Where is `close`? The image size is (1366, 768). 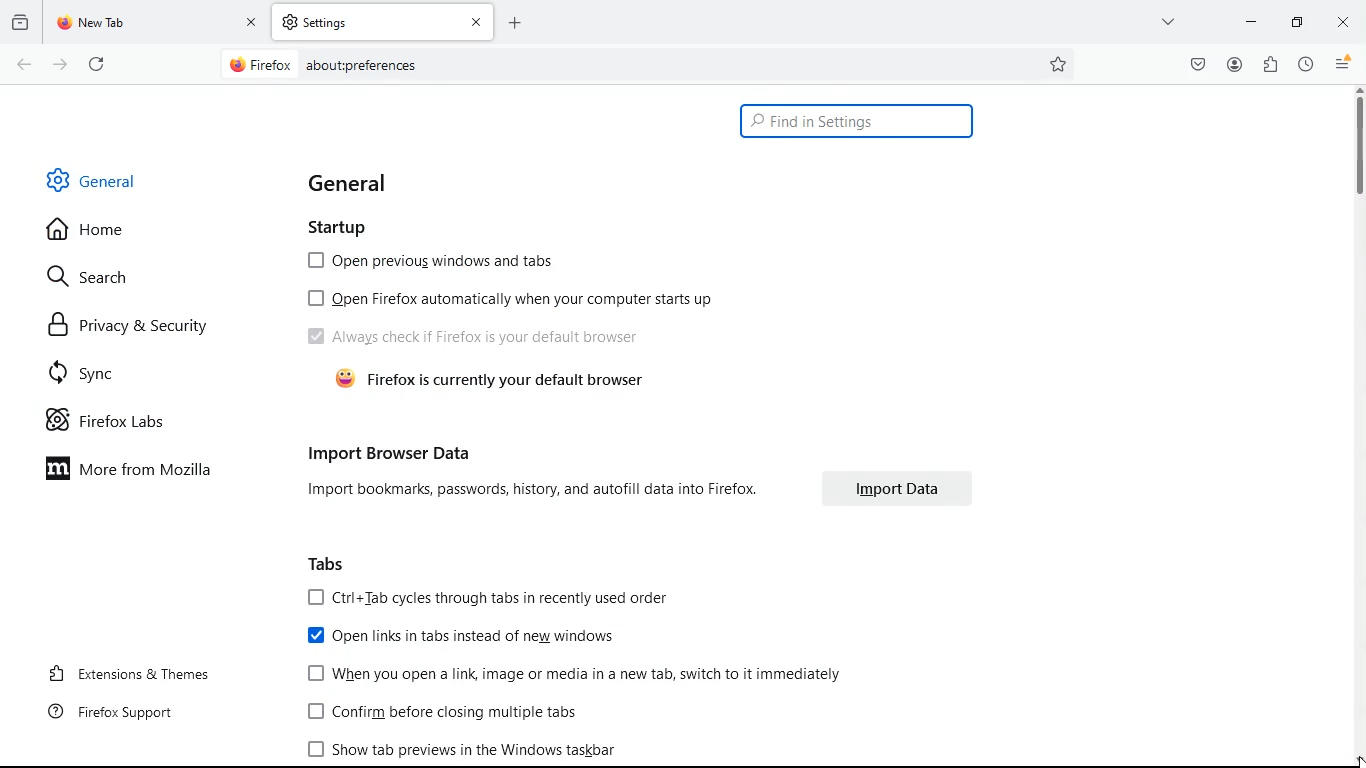 close is located at coordinates (1343, 21).